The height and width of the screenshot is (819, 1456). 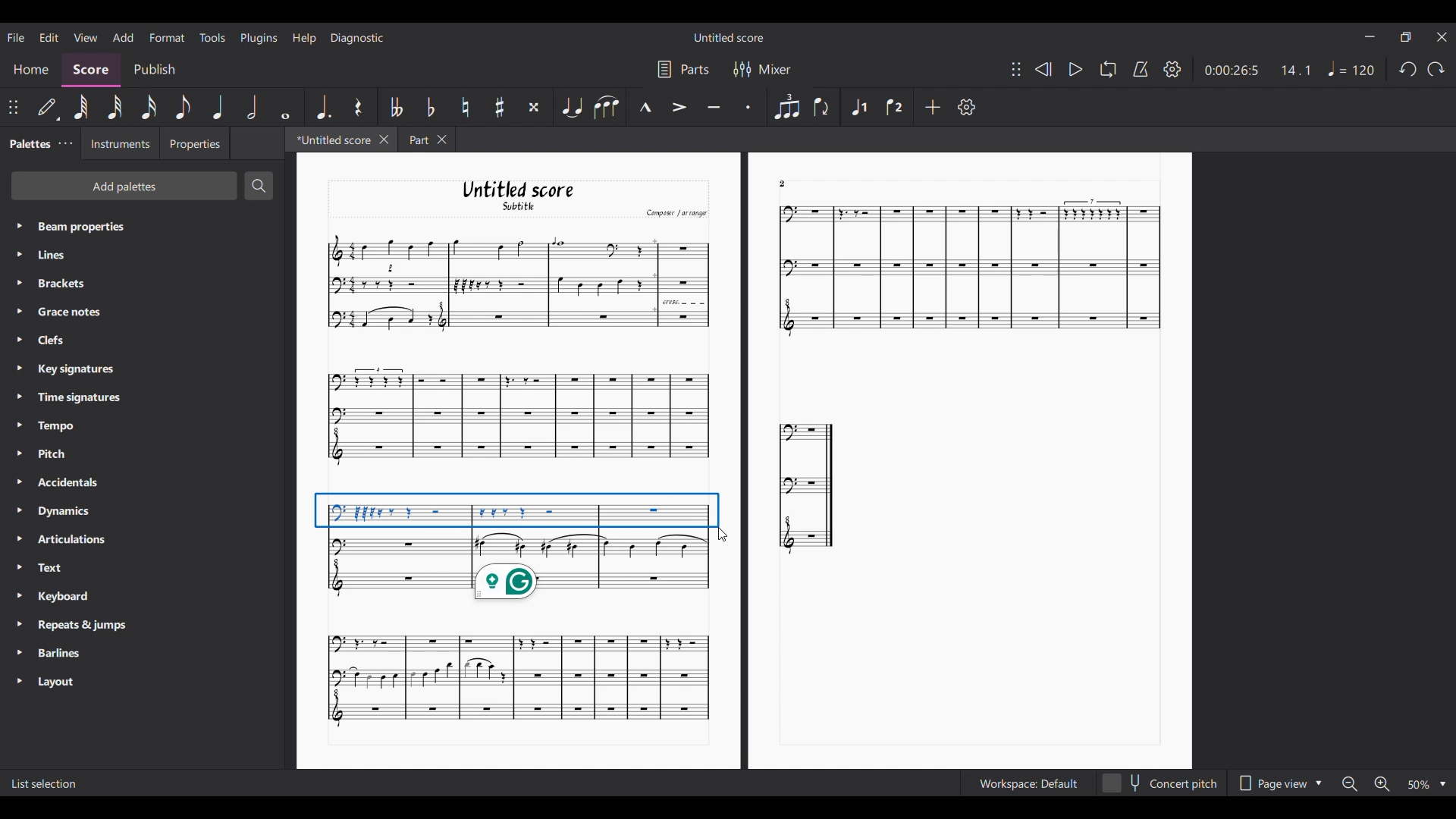 I want to click on Add palette, so click(x=124, y=186).